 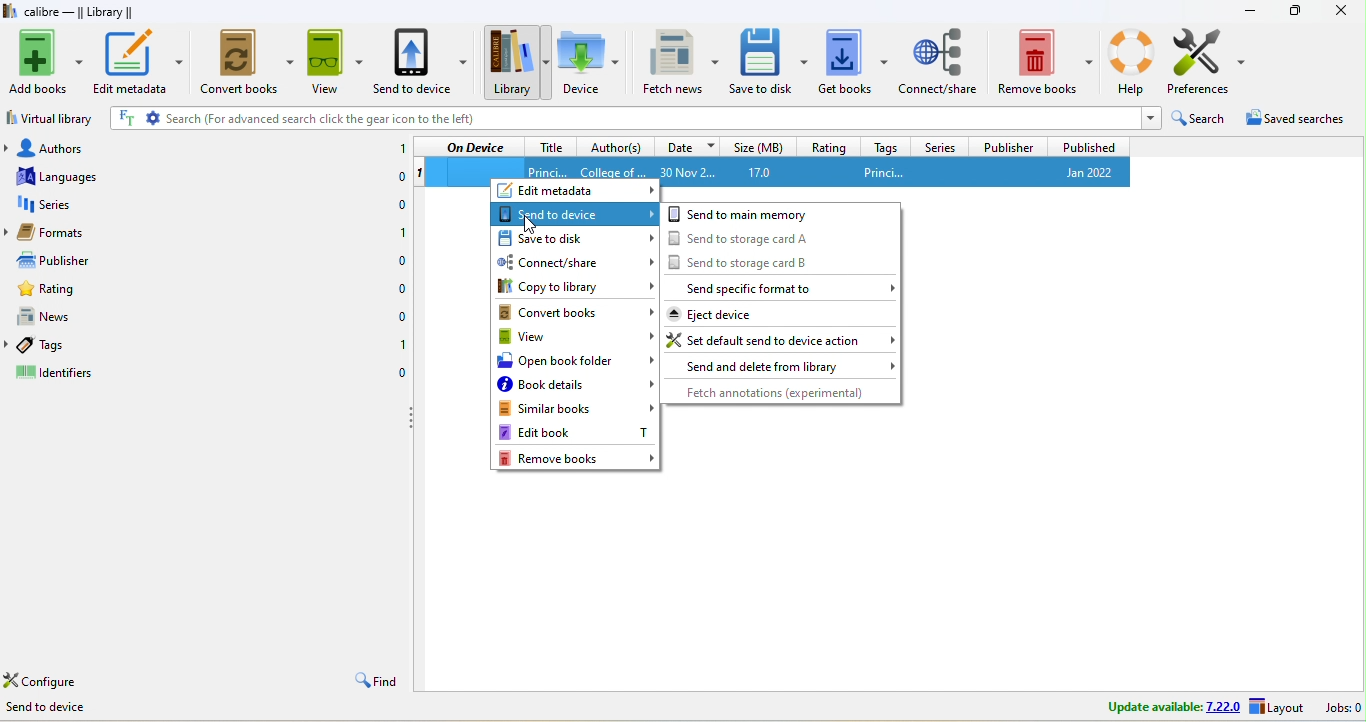 What do you see at coordinates (612, 169) in the screenshot?
I see `Author` at bounding box center [612, 169].